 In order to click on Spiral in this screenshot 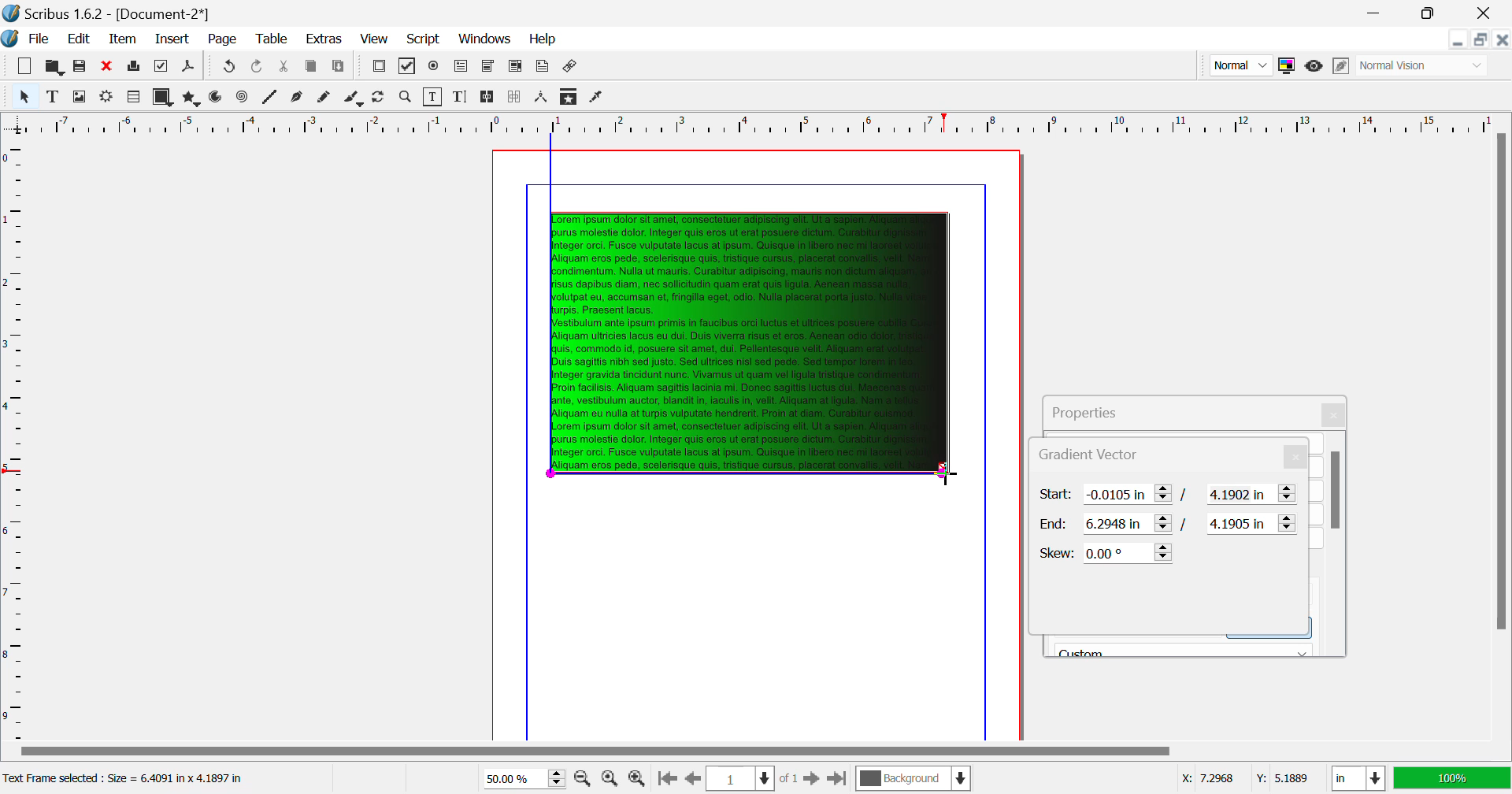, I will do `click(242, 98)`.